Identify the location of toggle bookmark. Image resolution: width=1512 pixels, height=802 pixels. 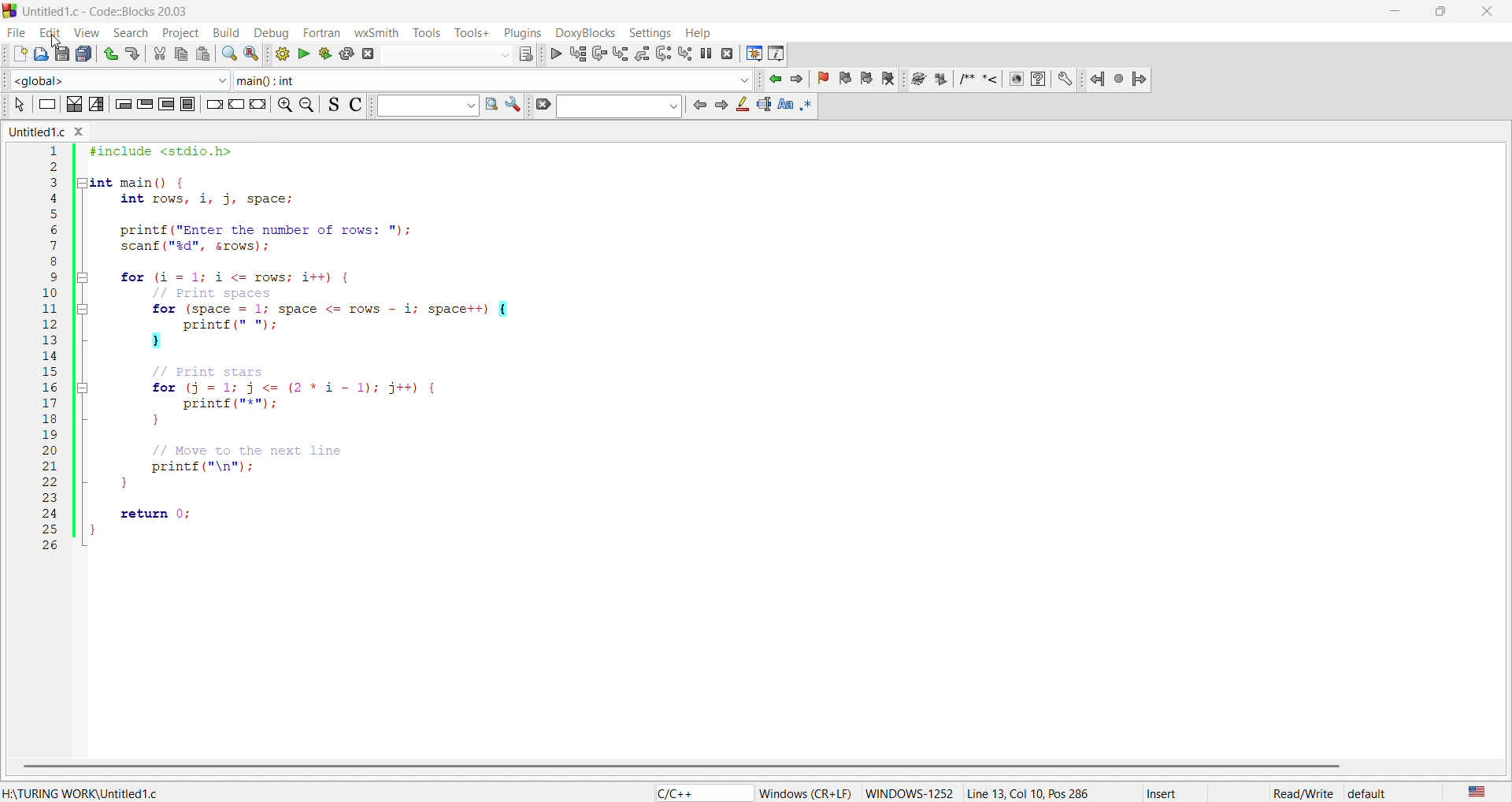
(824, 79).